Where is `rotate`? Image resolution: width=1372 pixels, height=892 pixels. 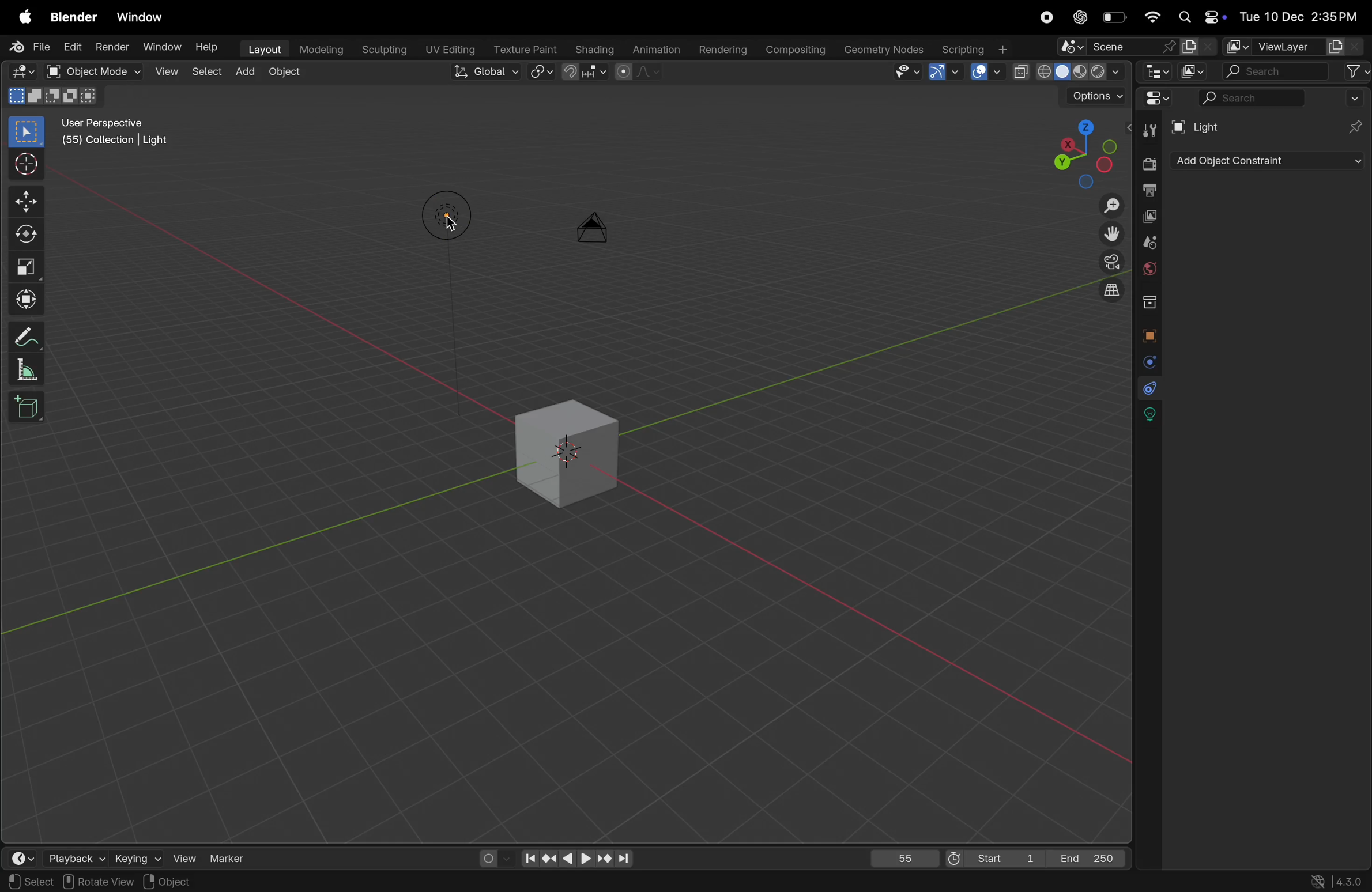 rotate is located at coordinates (26, 237).